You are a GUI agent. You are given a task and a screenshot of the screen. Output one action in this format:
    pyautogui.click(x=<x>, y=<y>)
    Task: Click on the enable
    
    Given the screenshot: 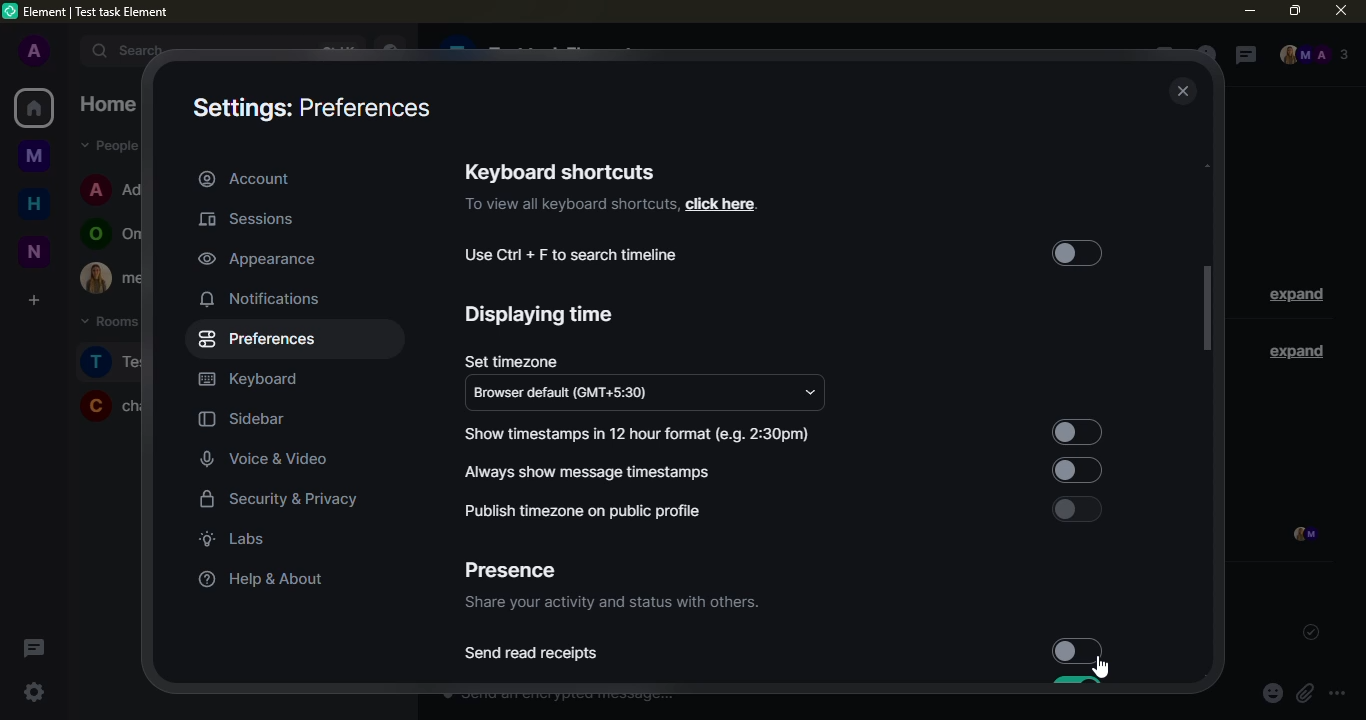 What is the action you would take?
    pyautogui.click(x=1076, y=509)
    